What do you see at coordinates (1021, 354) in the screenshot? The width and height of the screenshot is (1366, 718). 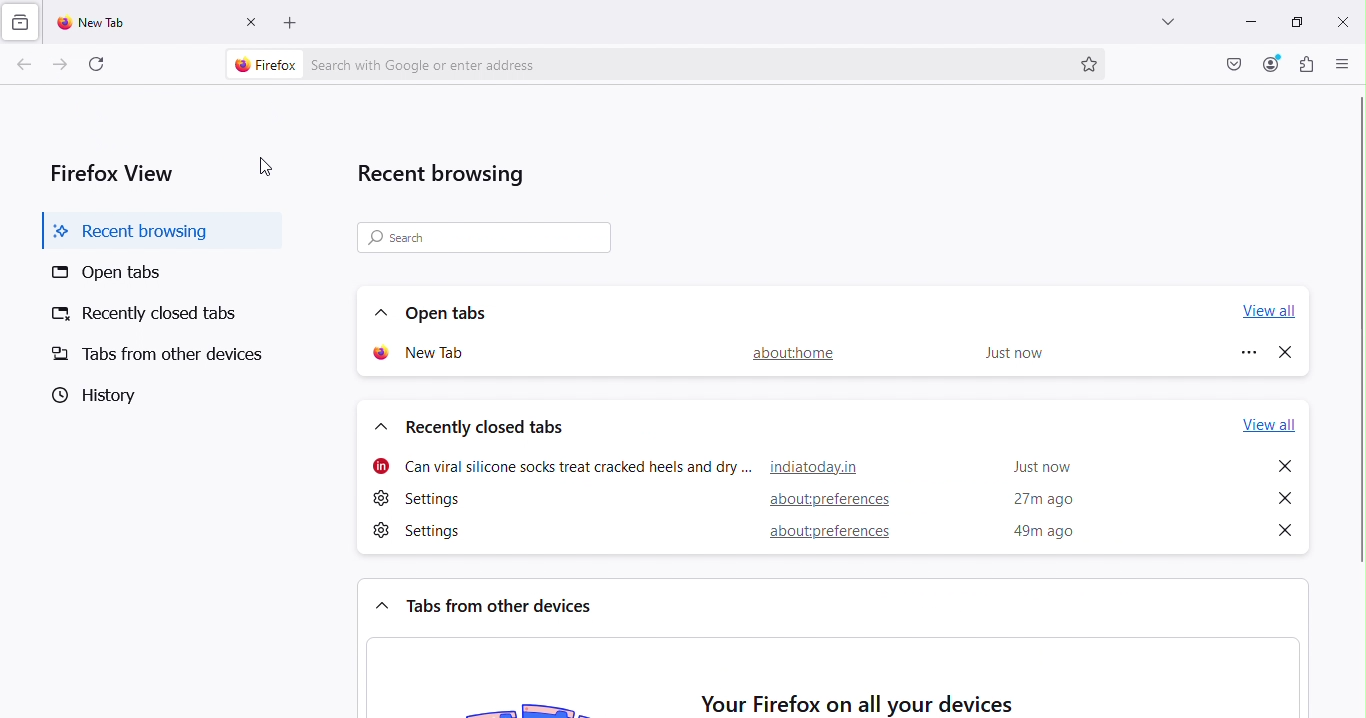 I see `Just now` at bounding box center [1021, 354].